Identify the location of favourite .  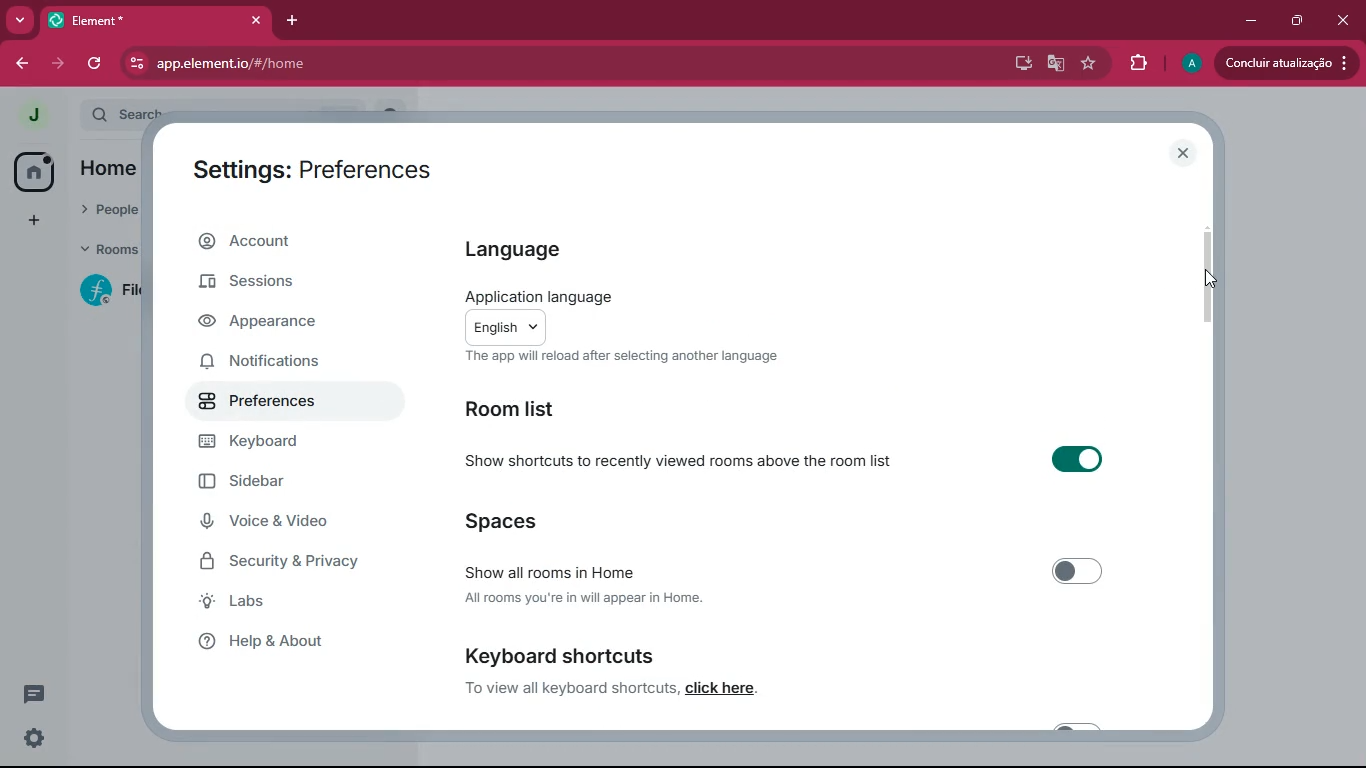
(1087, 65).